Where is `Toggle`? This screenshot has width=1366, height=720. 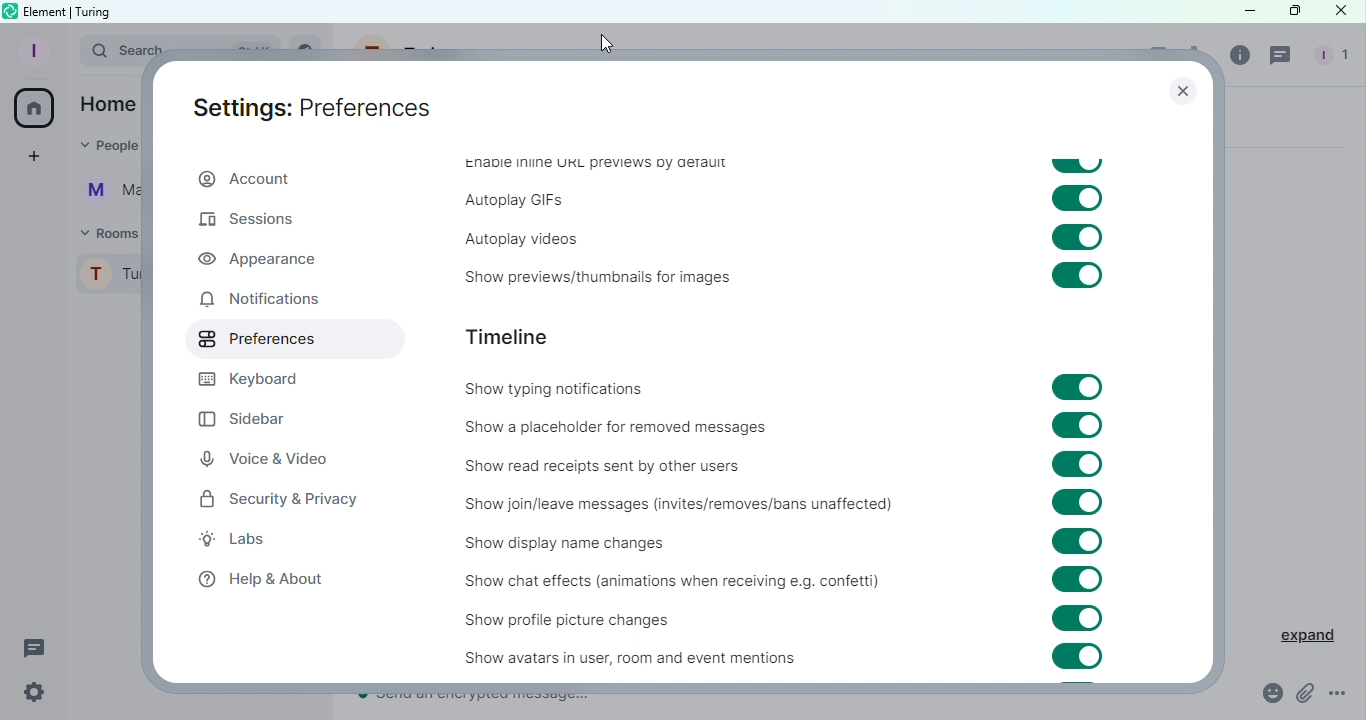 Toggle is located at coordinates (1079, 618).